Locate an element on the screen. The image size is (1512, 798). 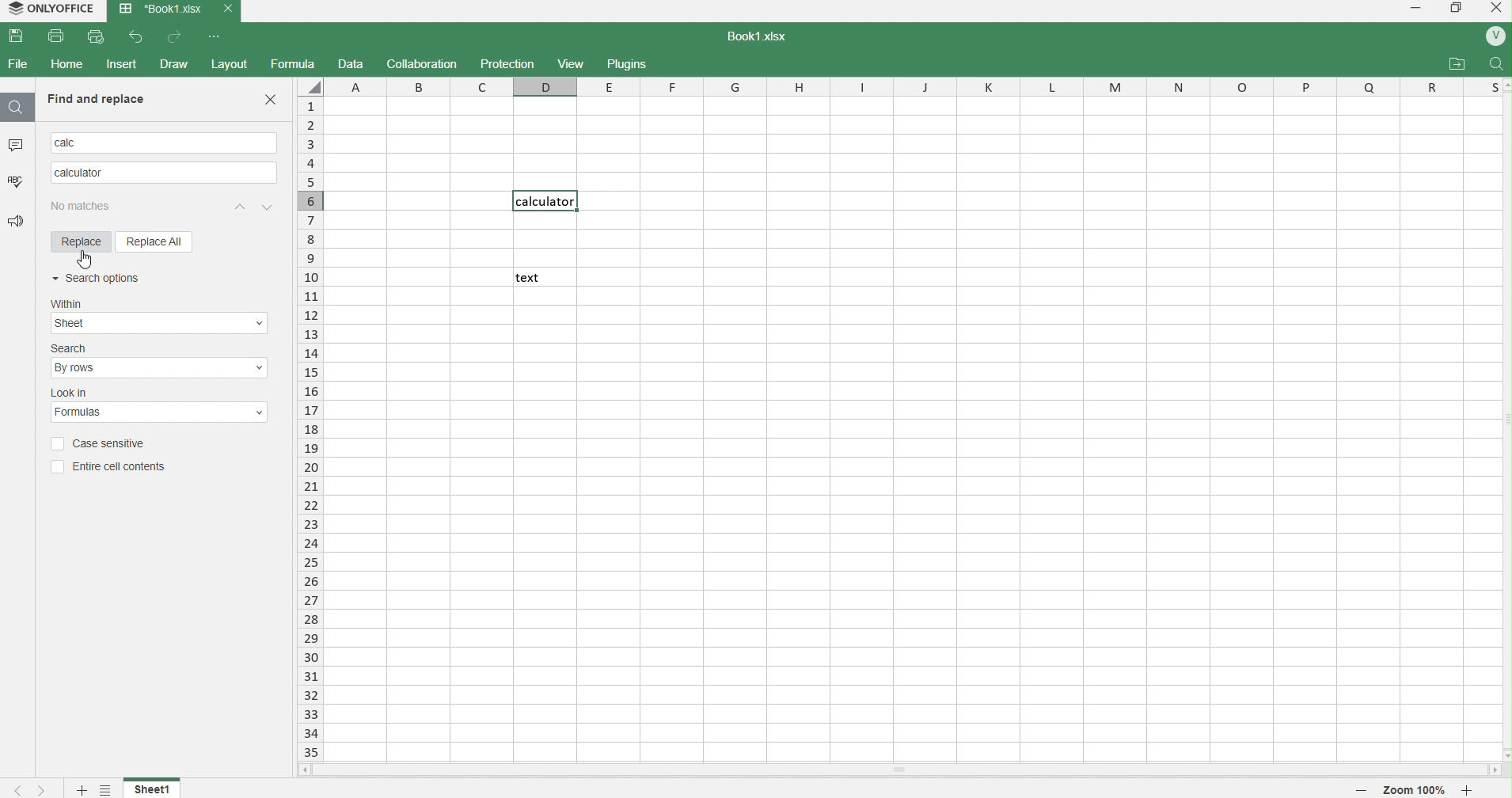
formula is located at coordinates (295, 65).